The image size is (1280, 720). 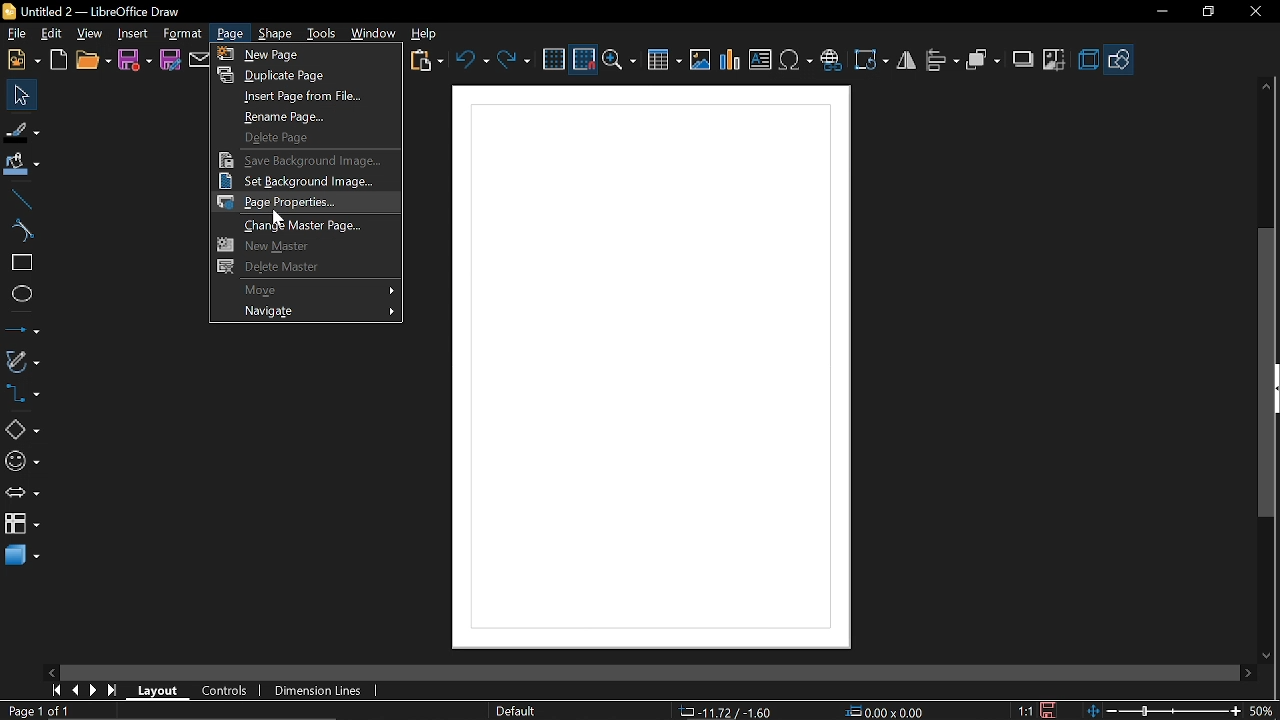 I want to click on Move, so click(x=302, y=290).